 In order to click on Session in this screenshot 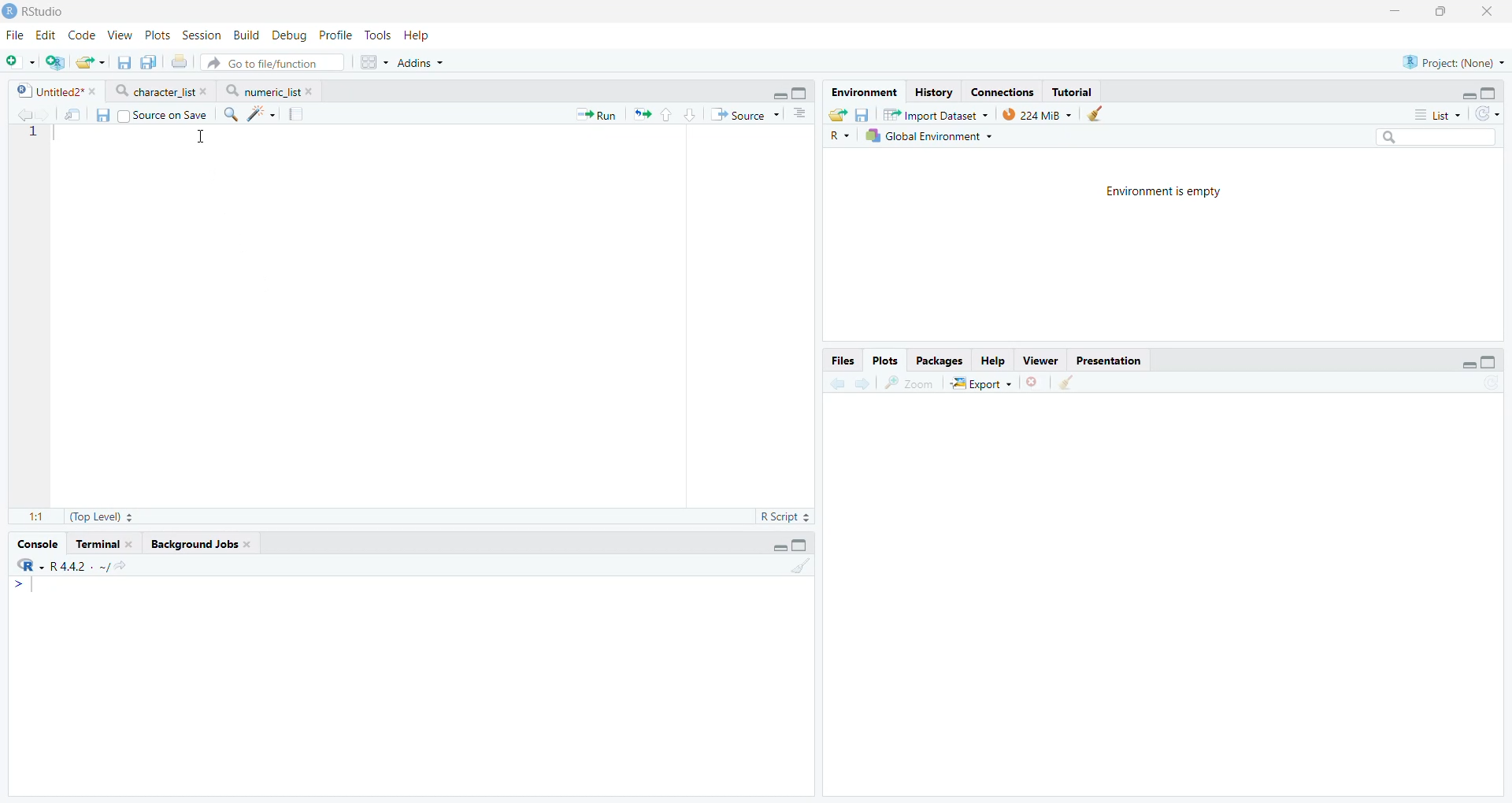, I will do `click(204, 35)`.